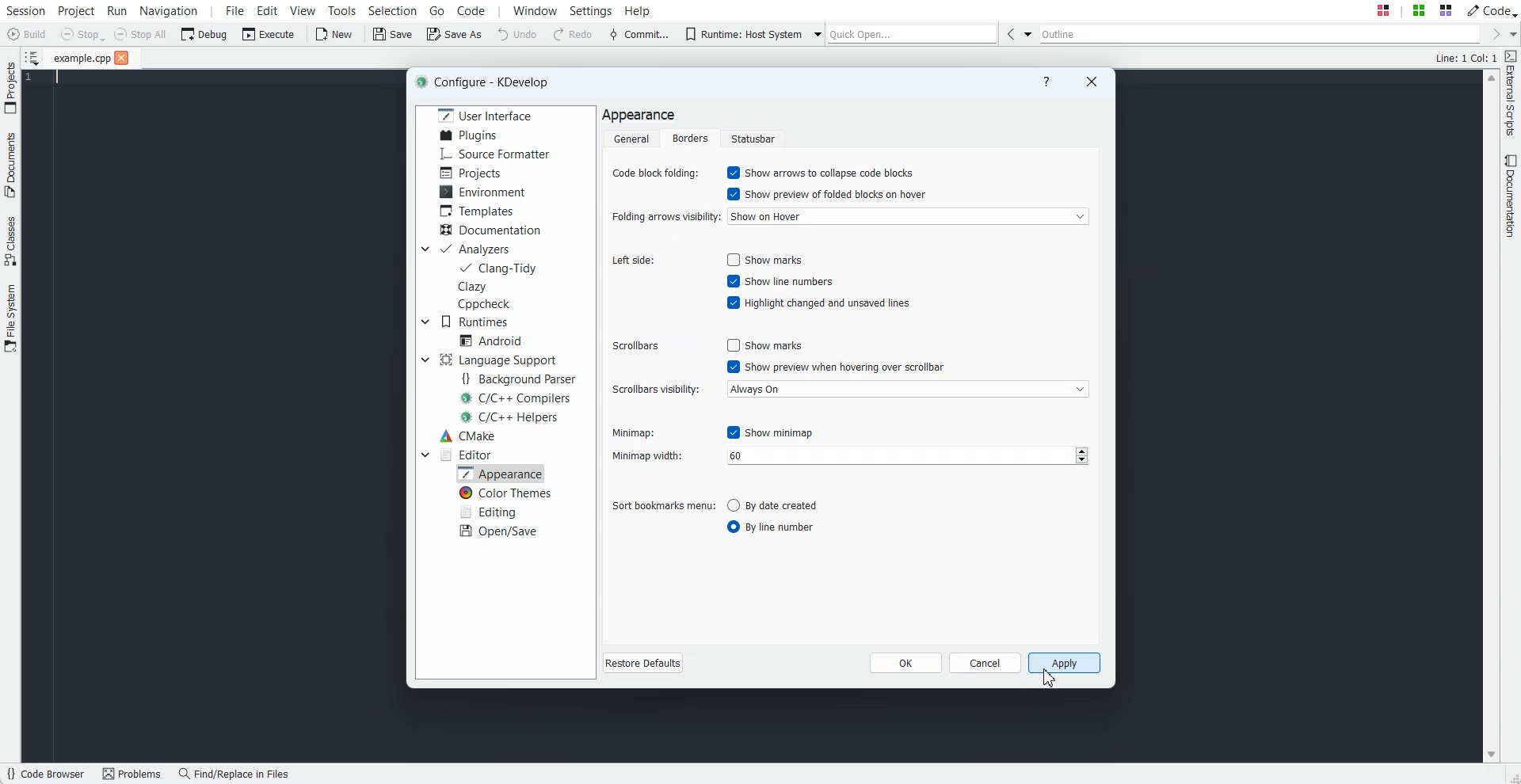 The width and height of the screenshot is (1521, 784). Describe the element at coordinates (1511, 196) in the screenshot. I see `Documentation` at that location.